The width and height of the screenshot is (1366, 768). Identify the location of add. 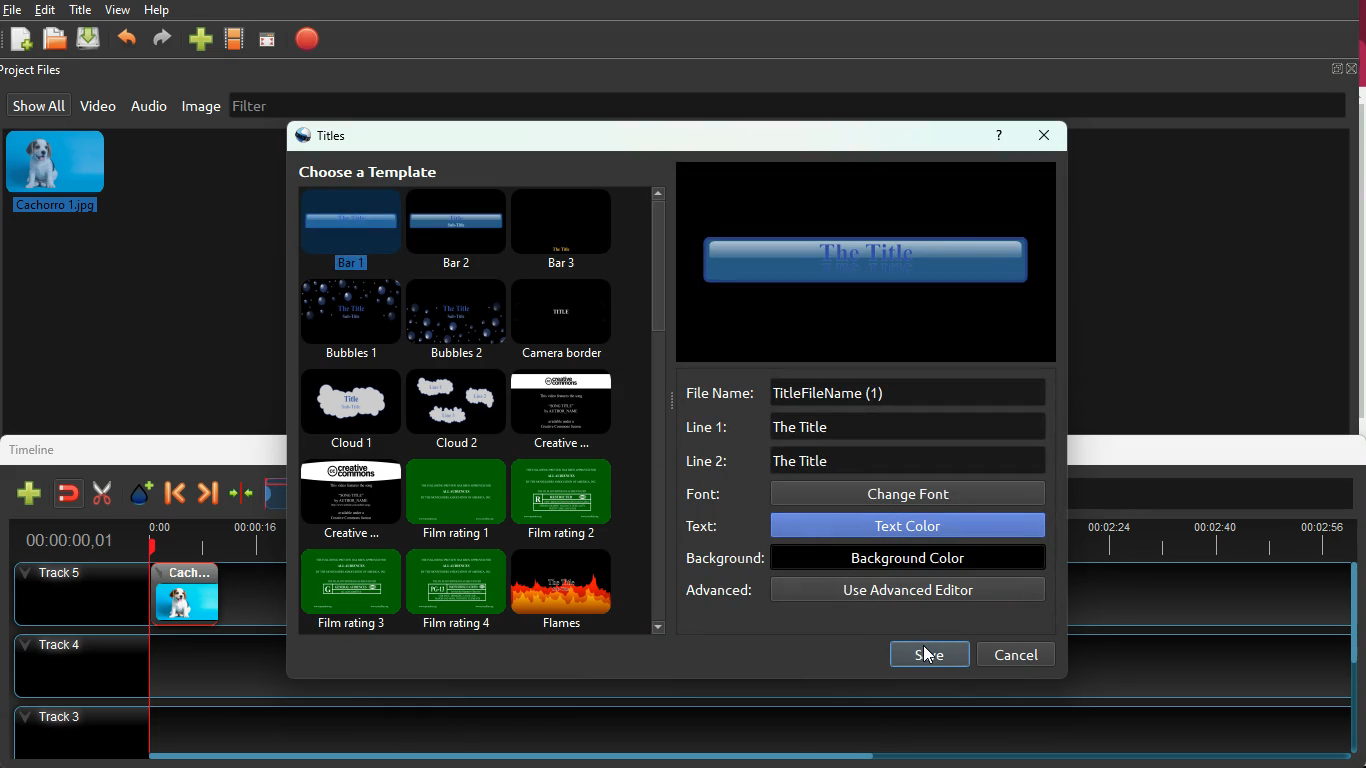
(200, 41).